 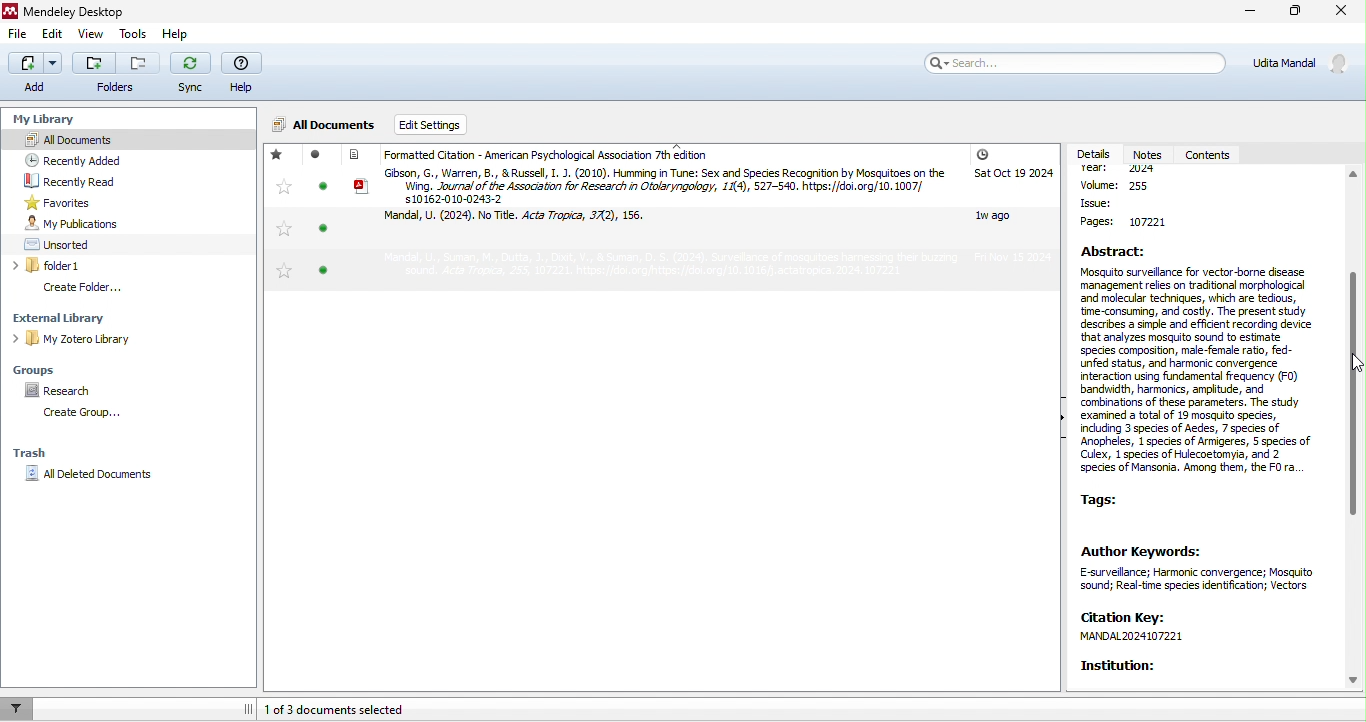 I want to click on my publication, so click(x=94, y=223).